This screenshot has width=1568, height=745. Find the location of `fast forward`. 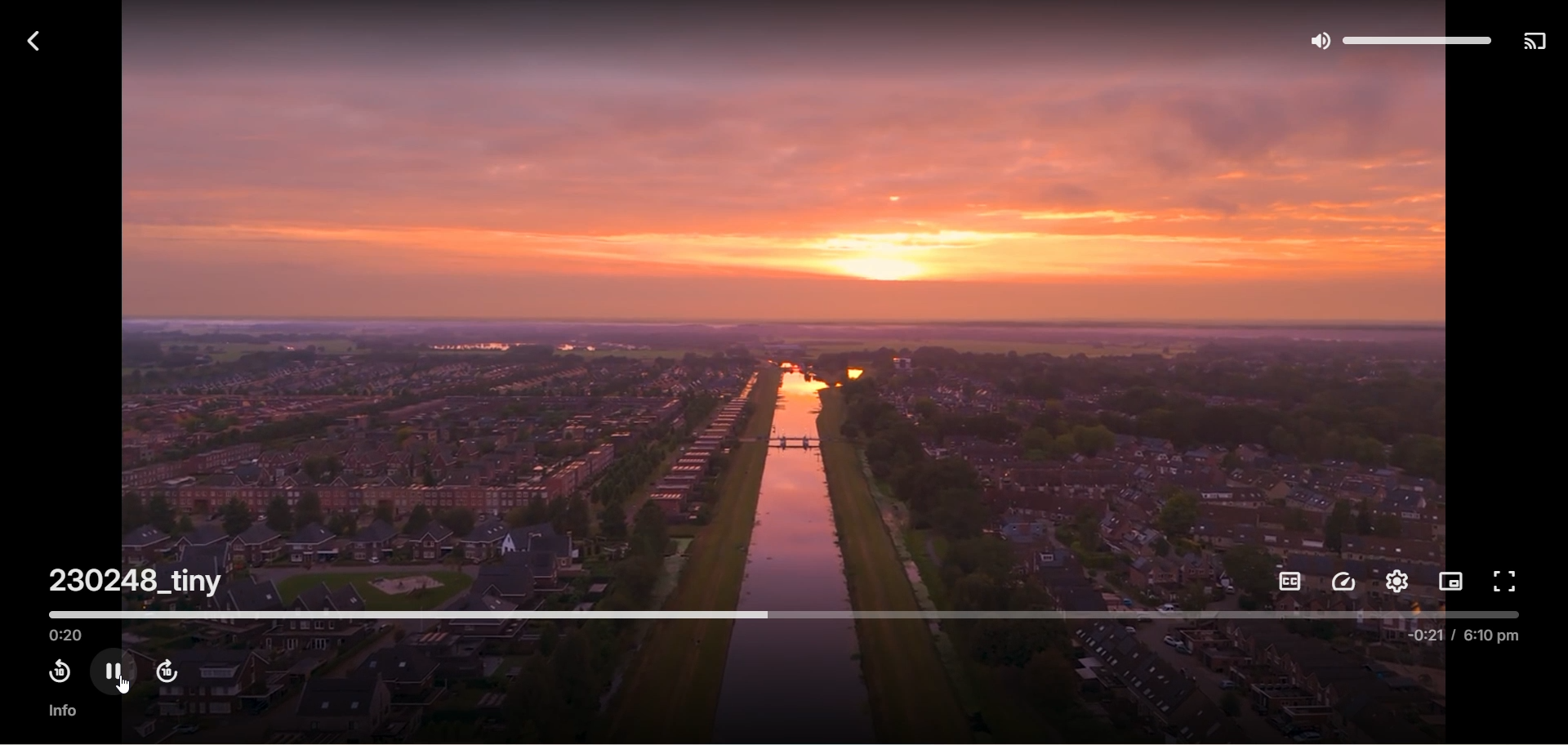

fast forward is located at coordinates (171, 672).